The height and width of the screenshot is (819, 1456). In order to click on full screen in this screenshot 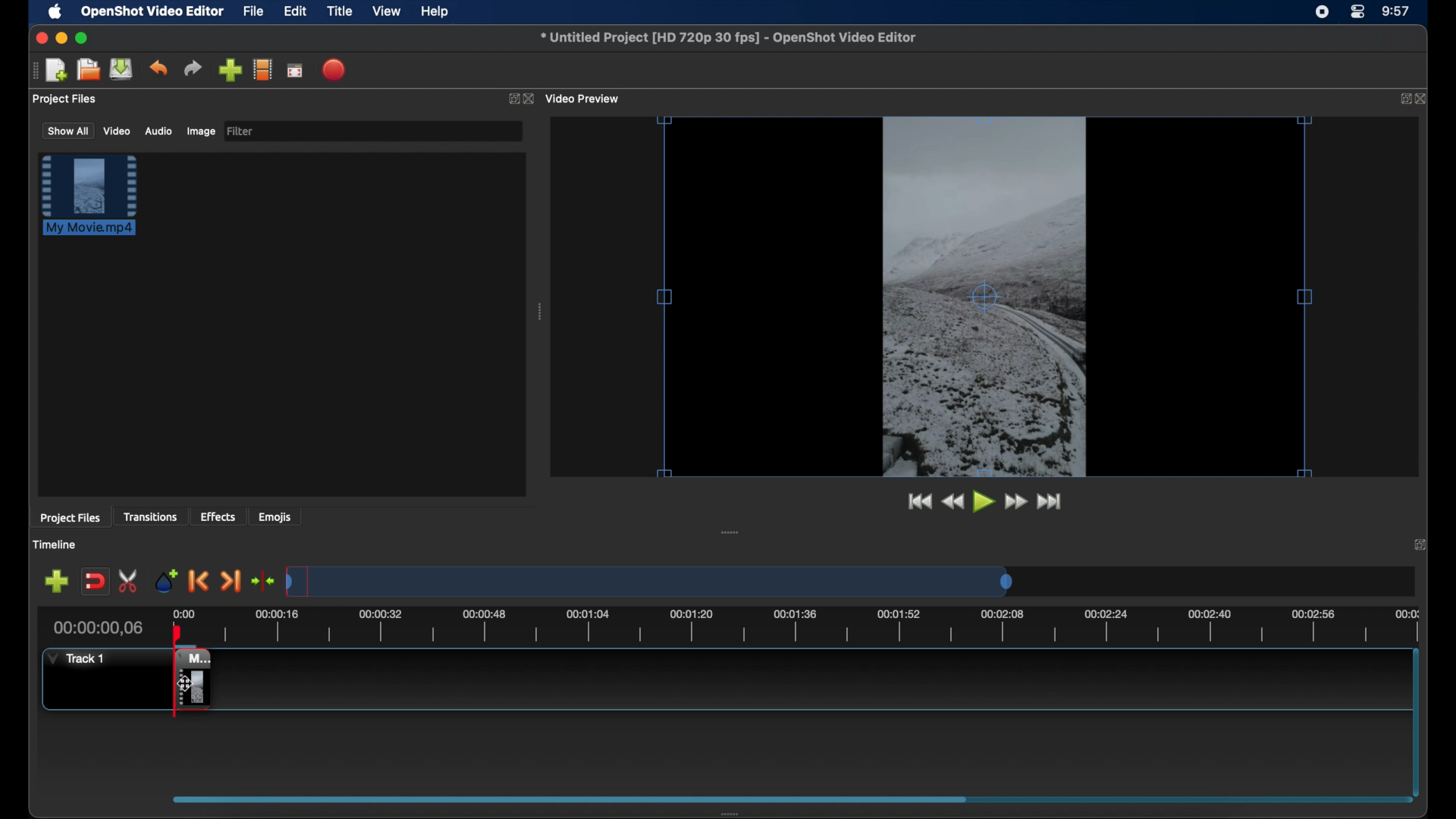, I will do `click(296, 70)`.